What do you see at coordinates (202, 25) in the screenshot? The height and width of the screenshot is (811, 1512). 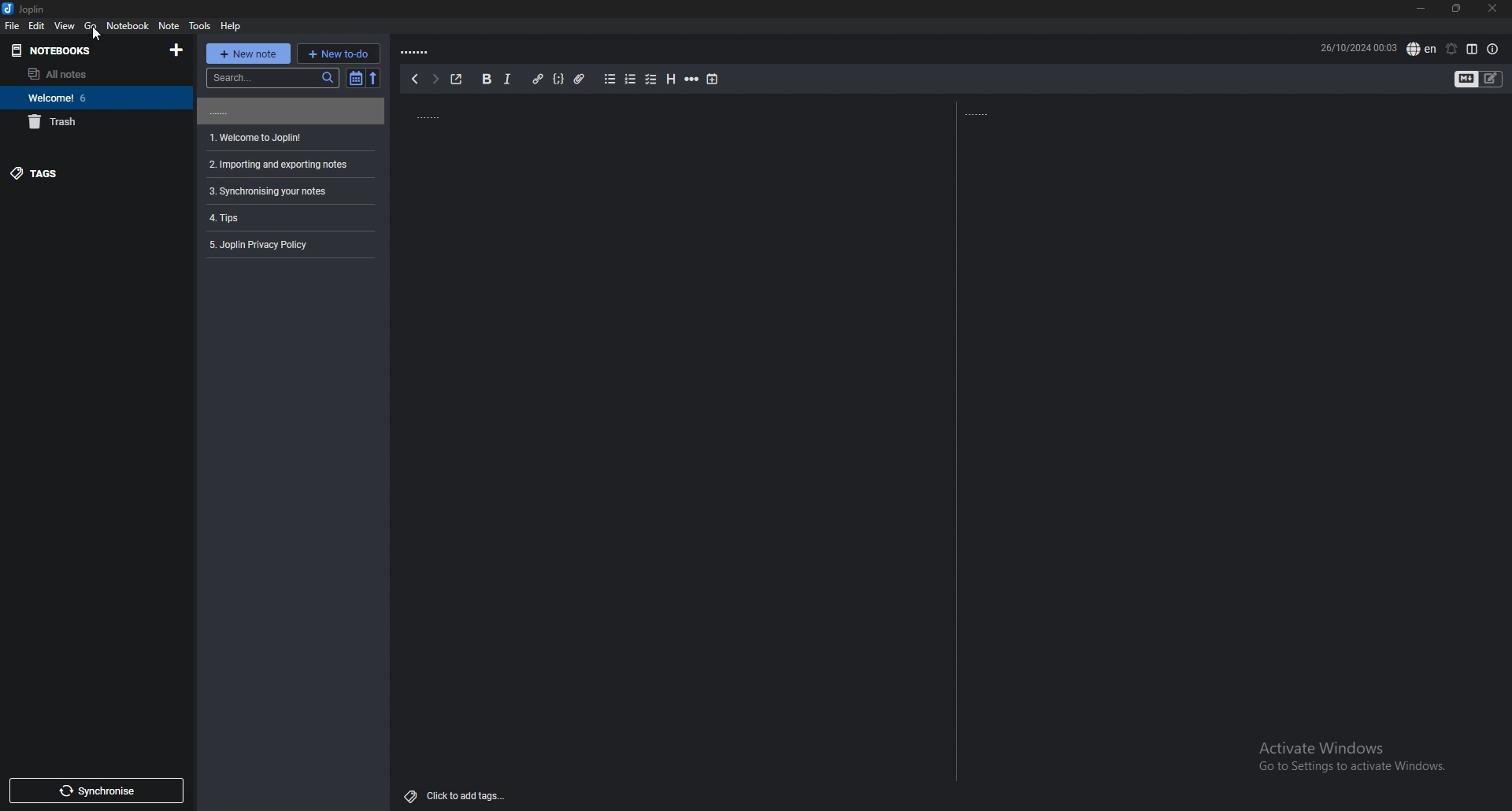 I see `tools` at bounding box center [202, 25].